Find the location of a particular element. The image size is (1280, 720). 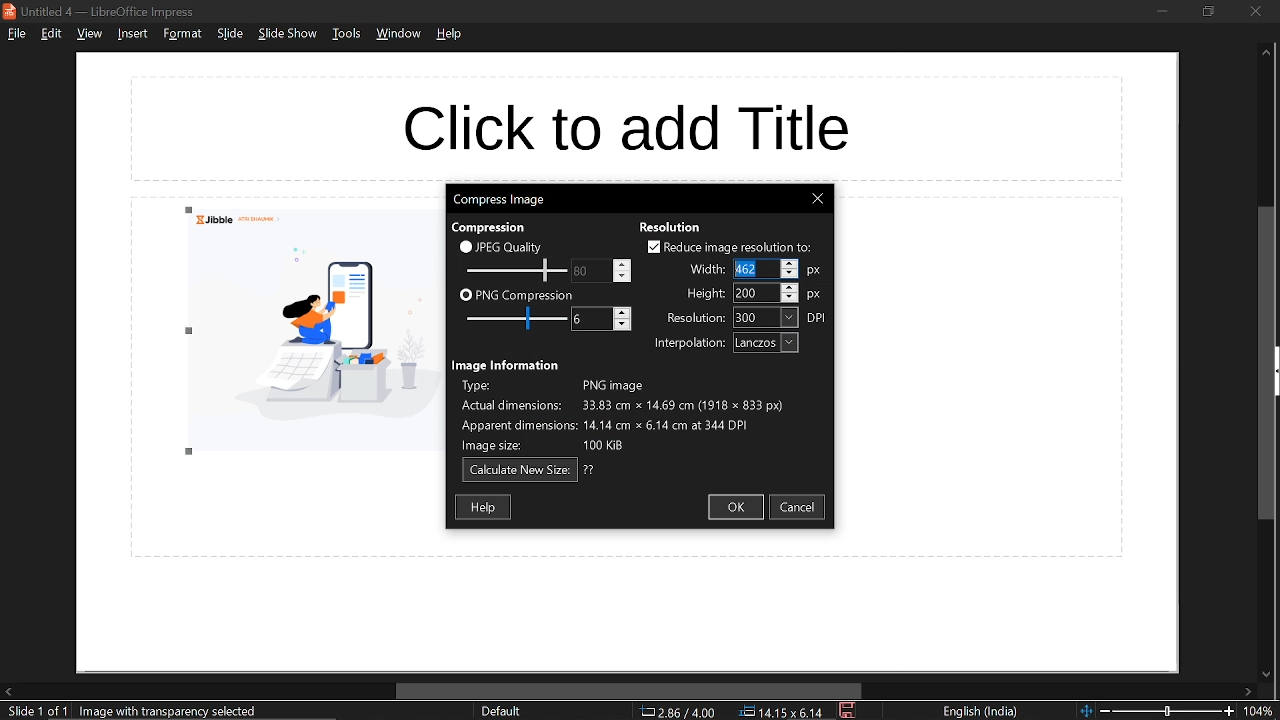

increase png compression is located at coordinates (623, 312).